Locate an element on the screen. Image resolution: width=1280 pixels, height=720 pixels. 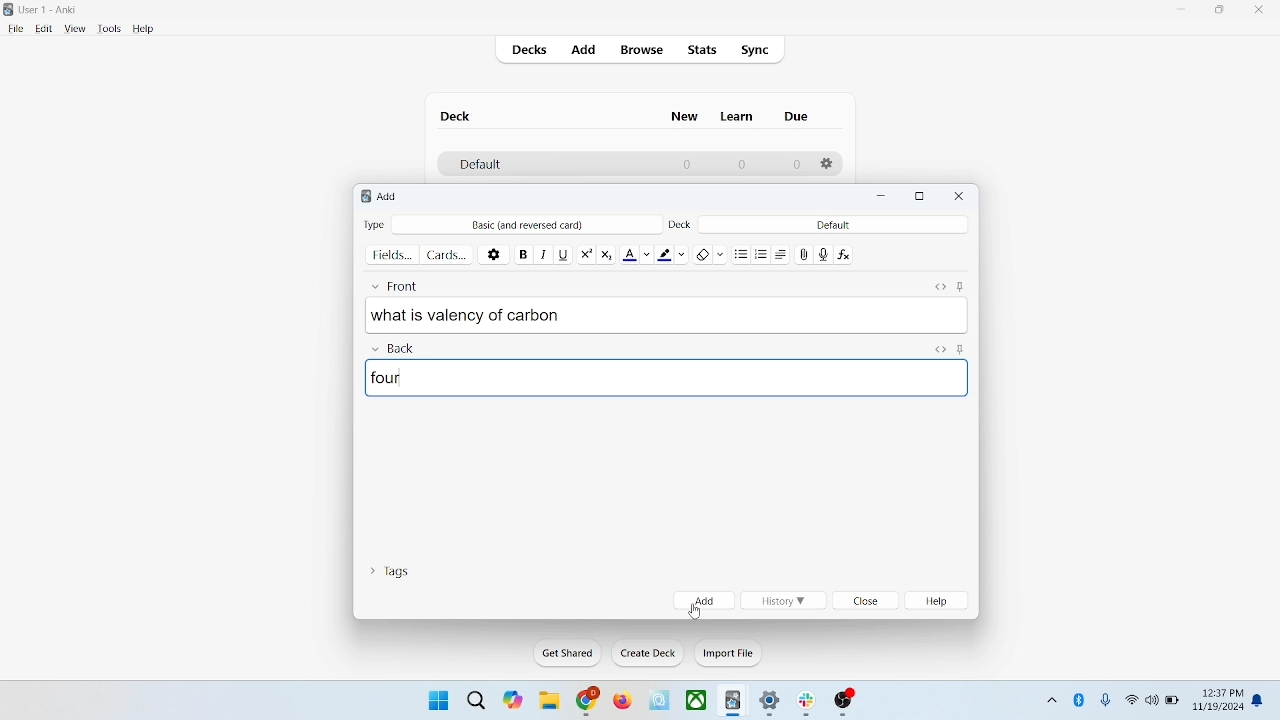
icon is located at coordinates (810, 704).